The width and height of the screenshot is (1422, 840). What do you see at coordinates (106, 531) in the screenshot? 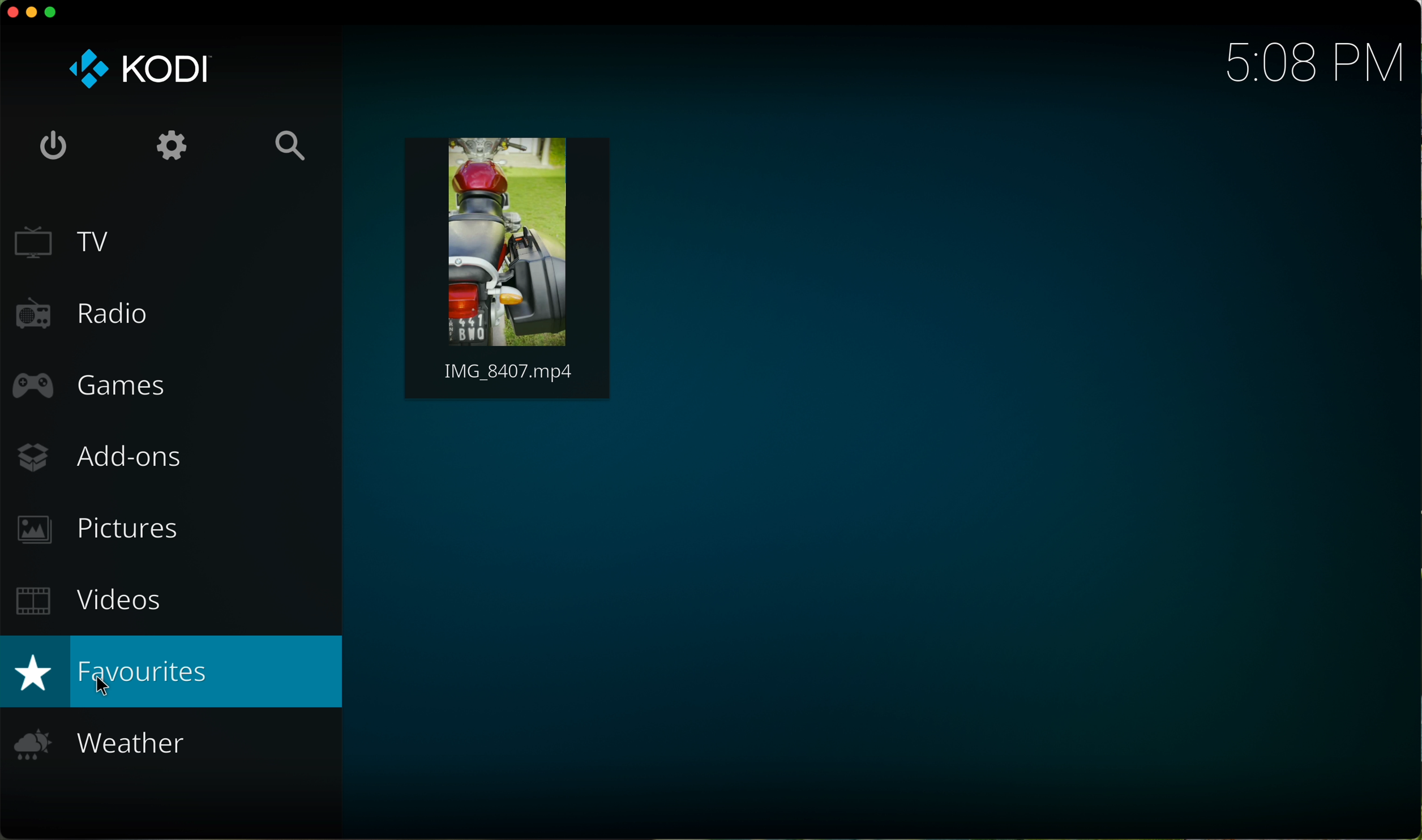
I see `pictures` at bounding box center [106, 531].